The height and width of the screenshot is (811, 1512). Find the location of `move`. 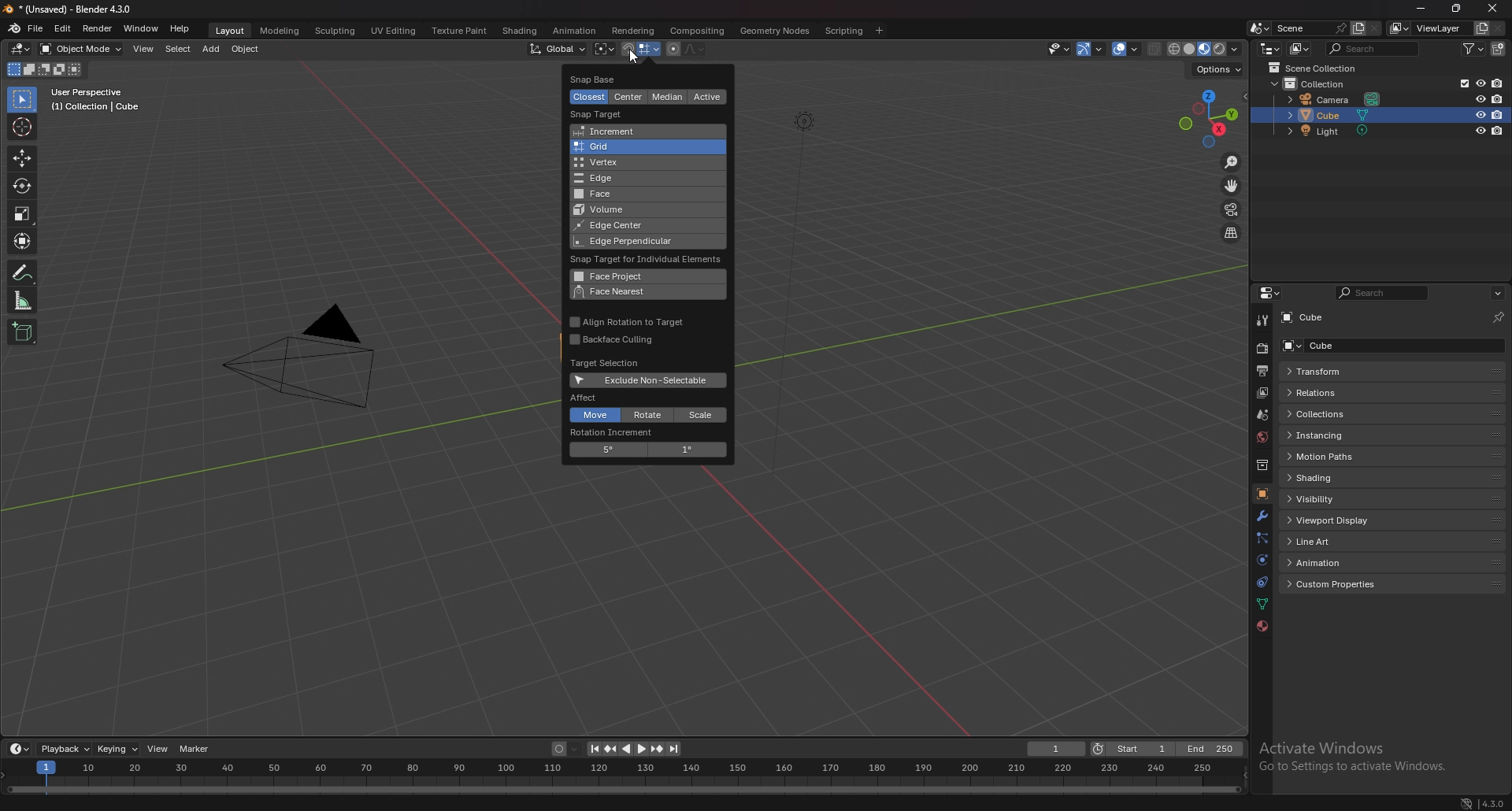

move is located at coordinates (22, 158).